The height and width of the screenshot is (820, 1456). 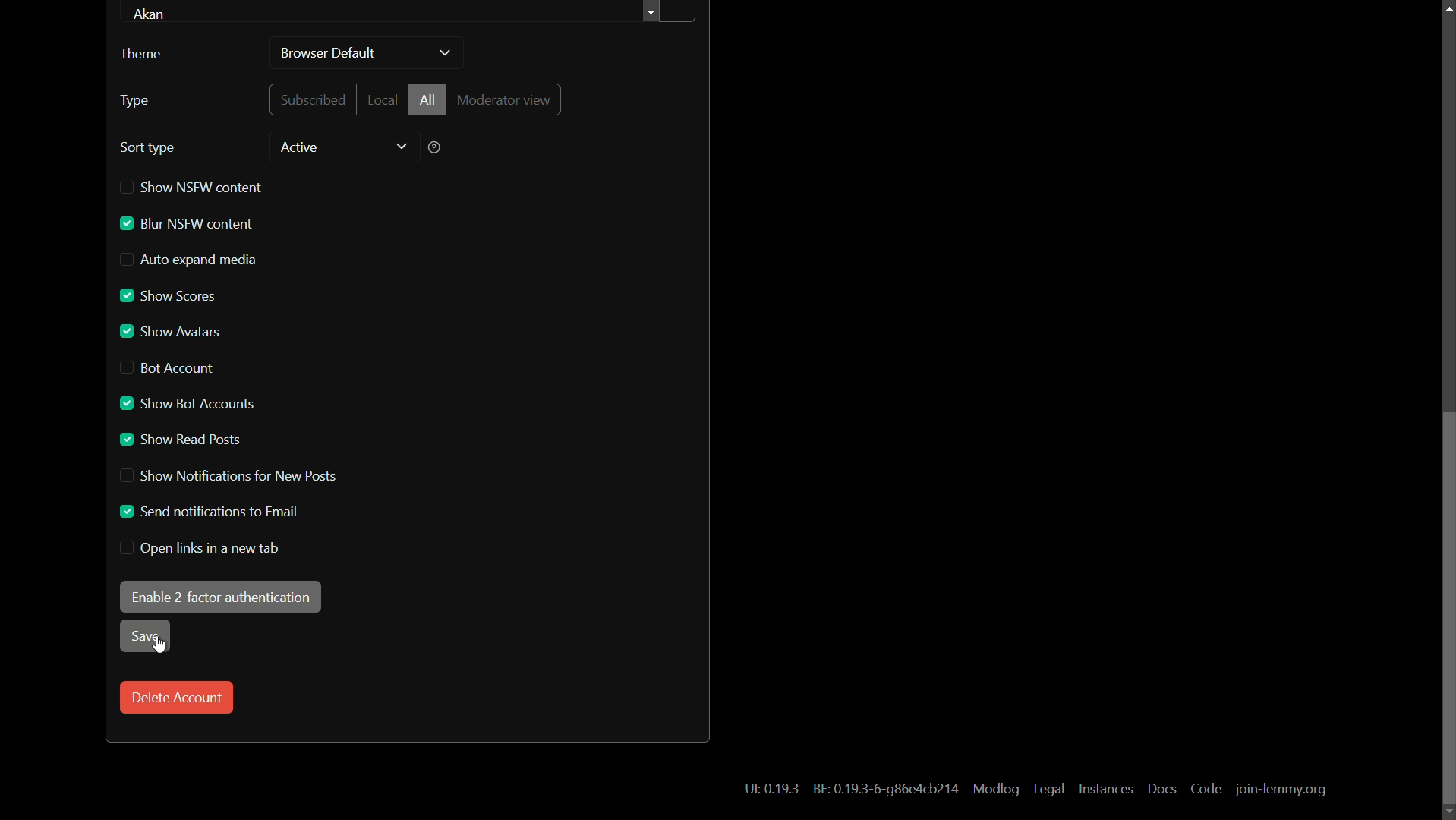 What do you see at coordinates (170, 332) in the screenshot?
I see `show avatars` at bounding box center [170, 332].